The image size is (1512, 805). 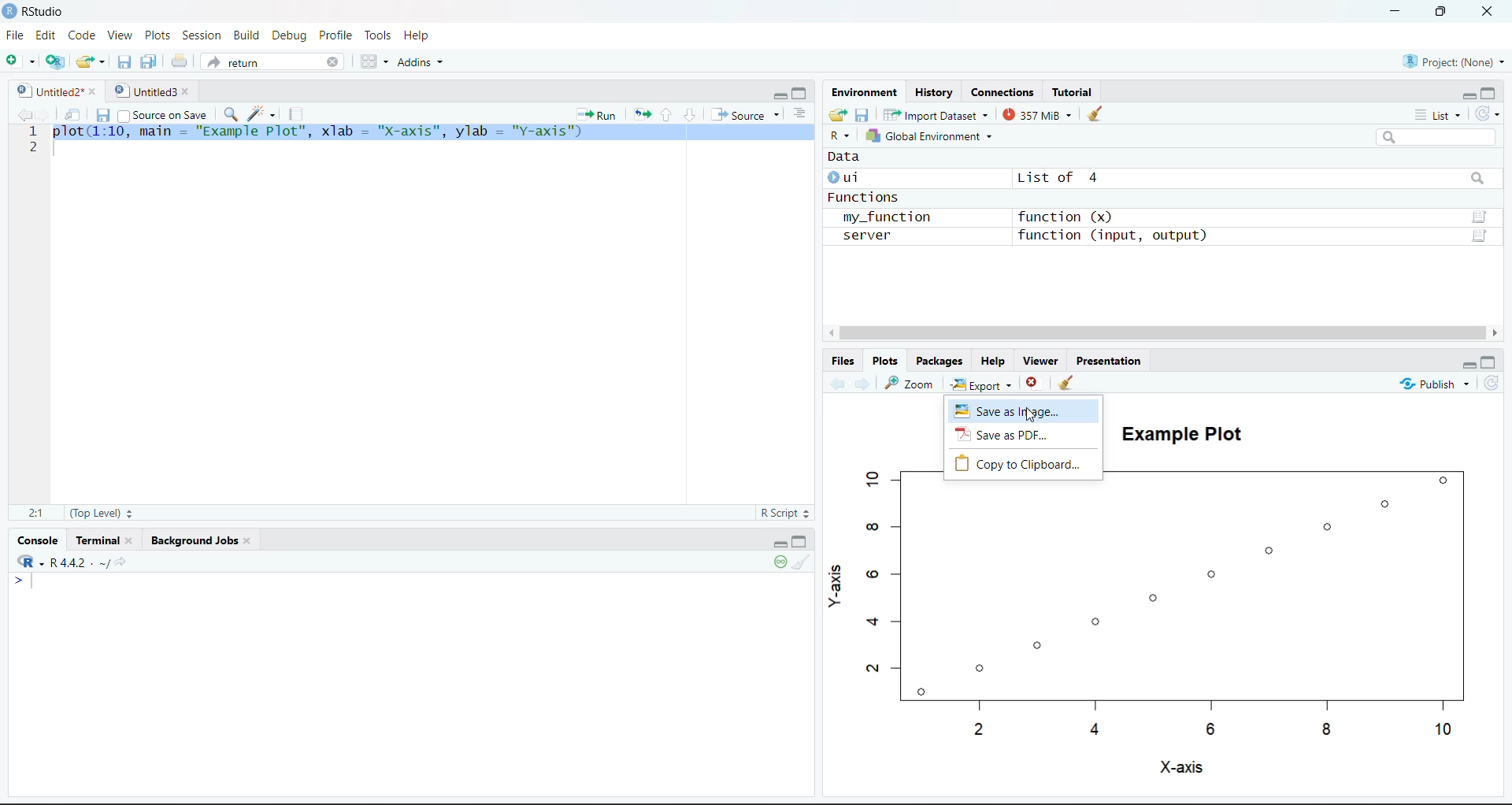 What do you see at coordinates (118, 35) in the screenshot?
I see `View` at bounding box center [118, 35].